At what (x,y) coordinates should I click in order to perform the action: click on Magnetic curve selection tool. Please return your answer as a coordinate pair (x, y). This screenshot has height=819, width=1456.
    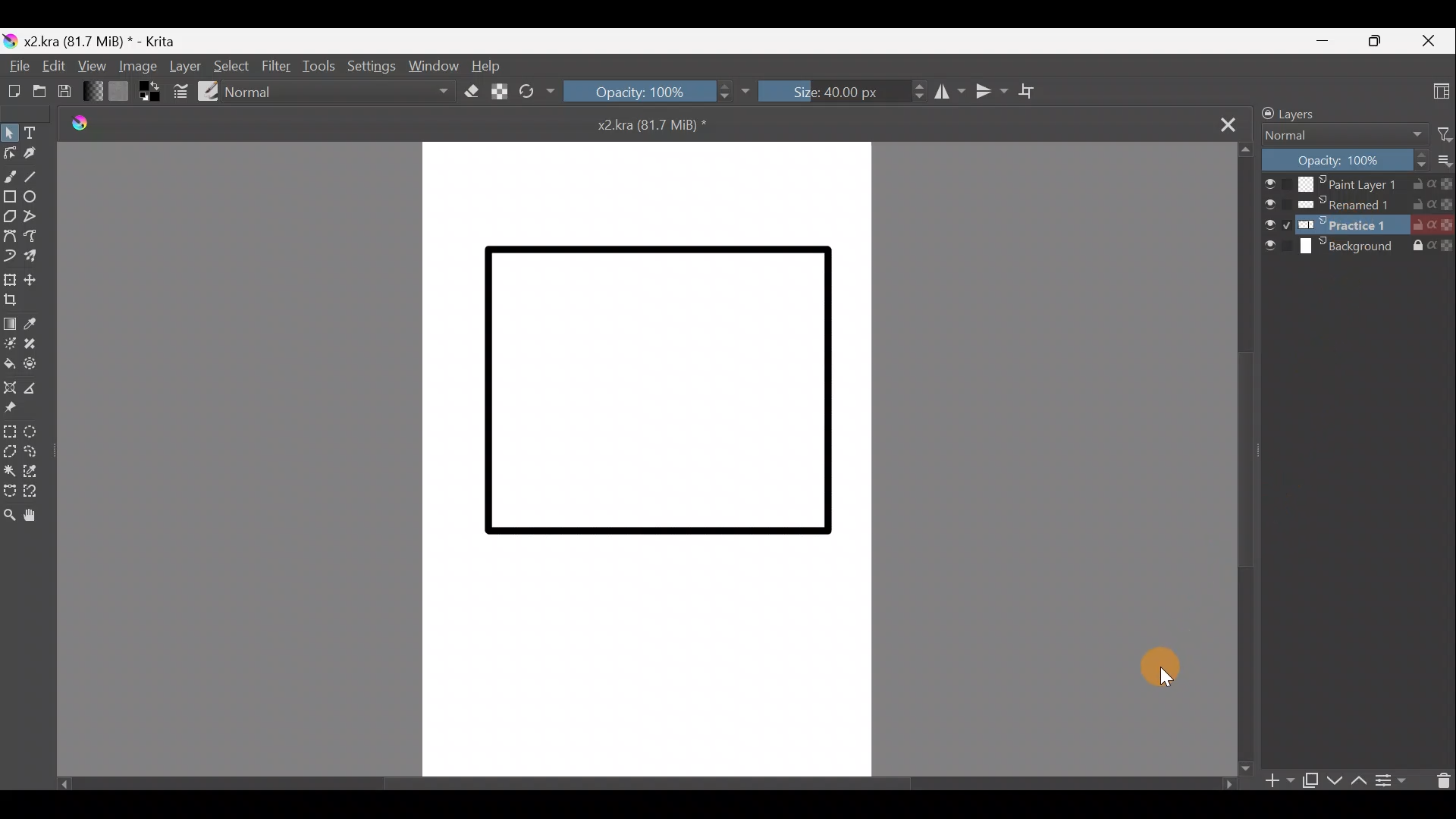
    Looking at the image, I should click on (35, 491).